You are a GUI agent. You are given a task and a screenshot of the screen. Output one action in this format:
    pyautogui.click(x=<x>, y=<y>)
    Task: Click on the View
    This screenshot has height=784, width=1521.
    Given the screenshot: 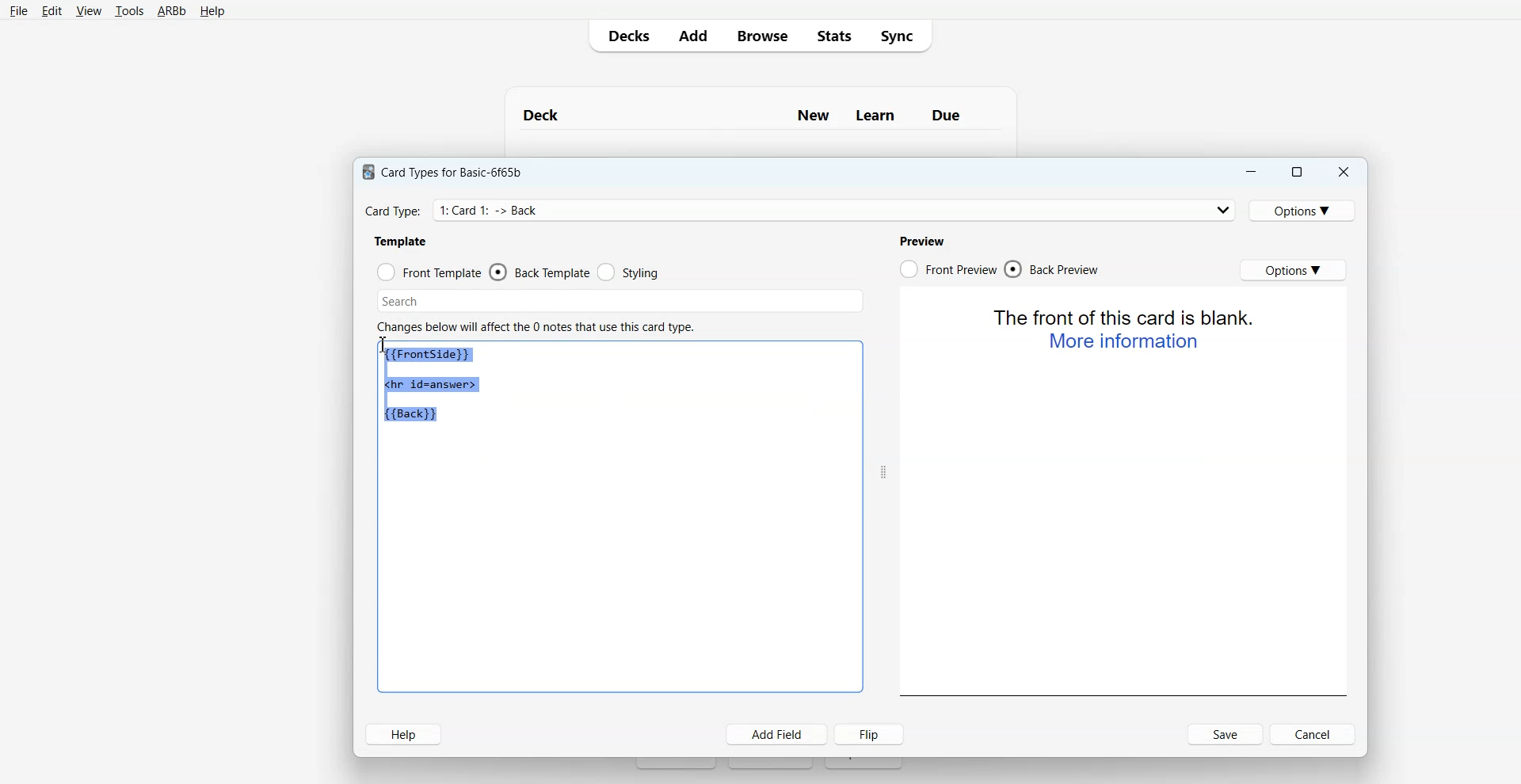 What is the action you would take?
    pyautogui.click(x=87, y=10)
    